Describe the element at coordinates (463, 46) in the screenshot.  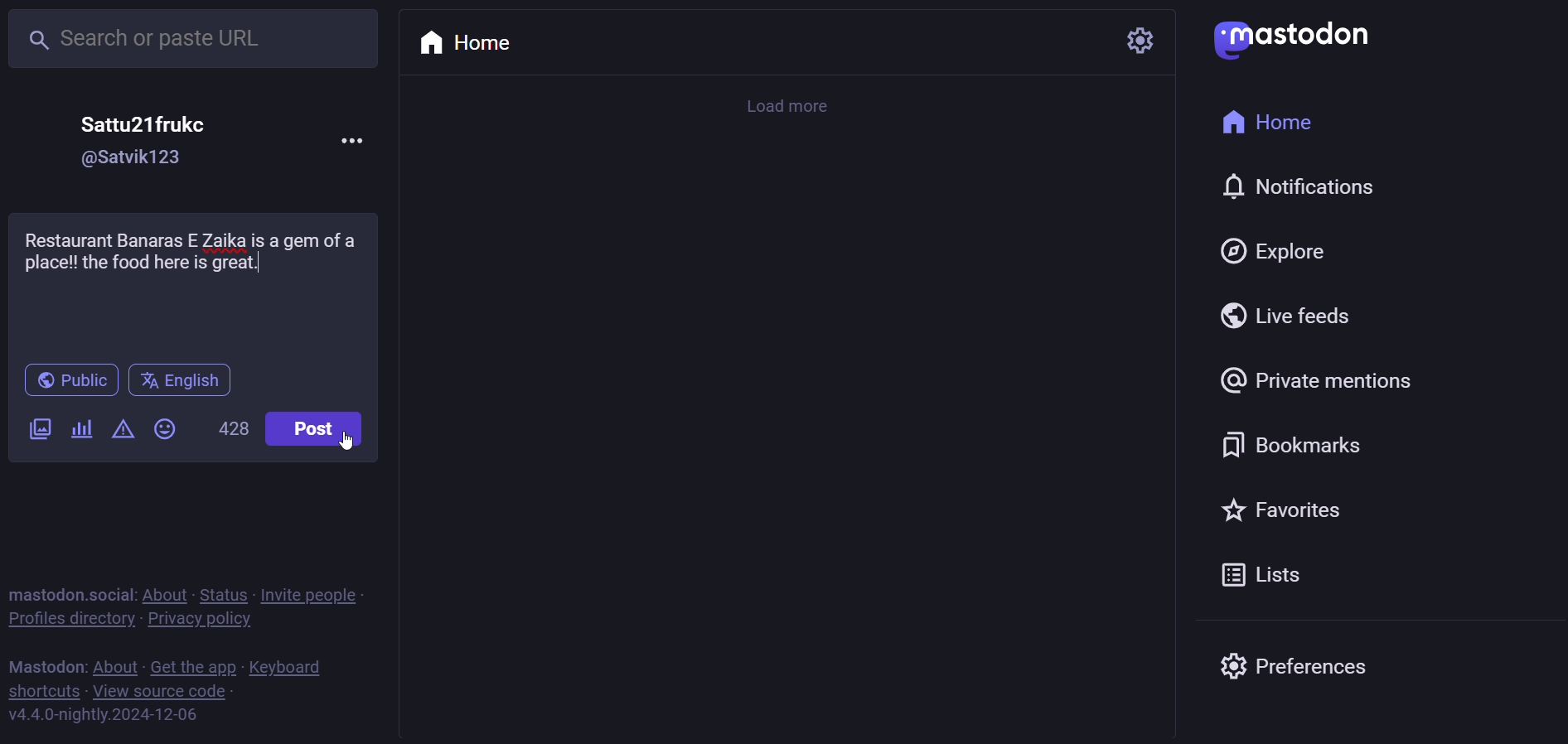
I see `home` at that location.